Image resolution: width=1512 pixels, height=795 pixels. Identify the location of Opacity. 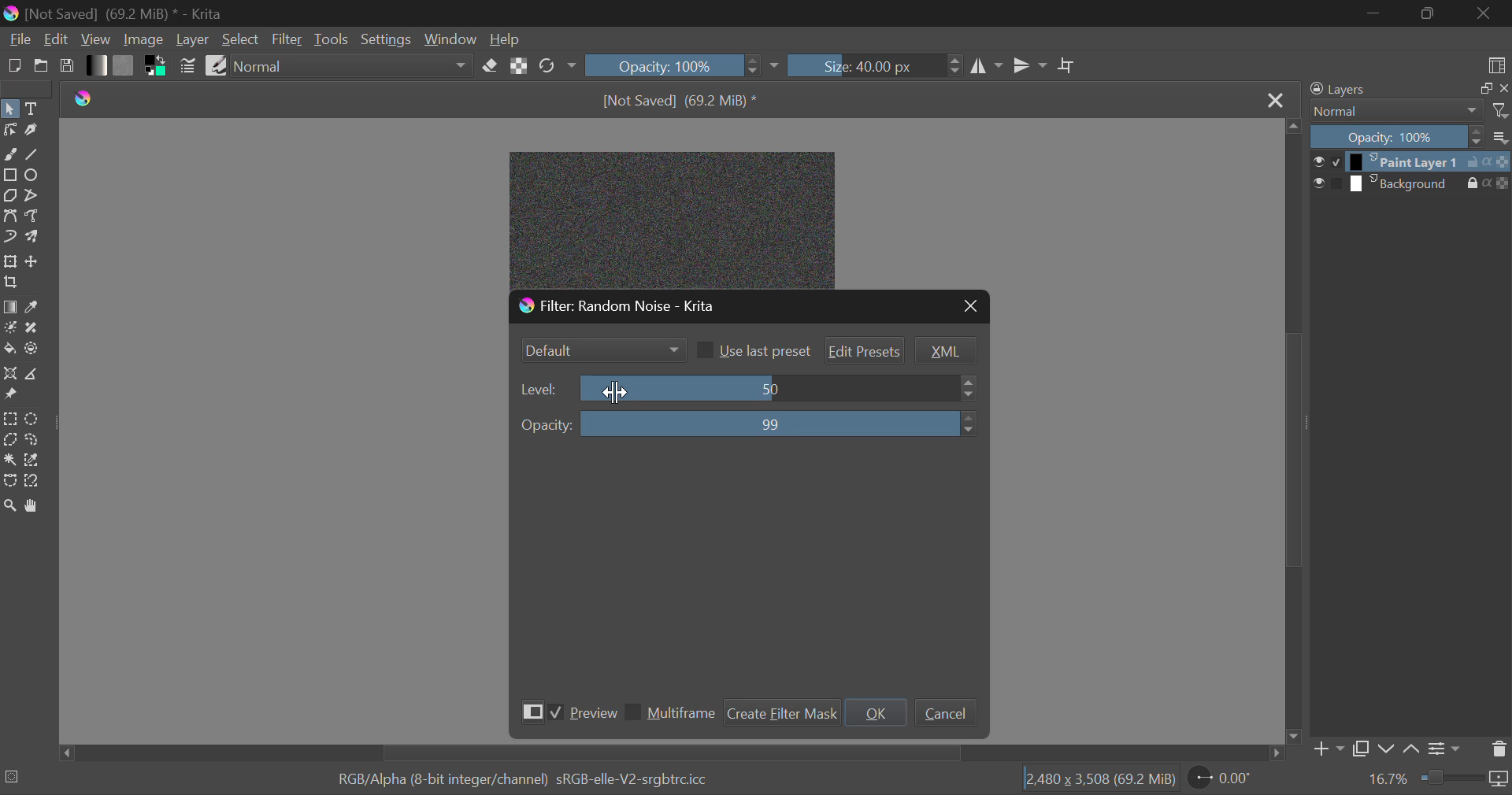
(682, 64).